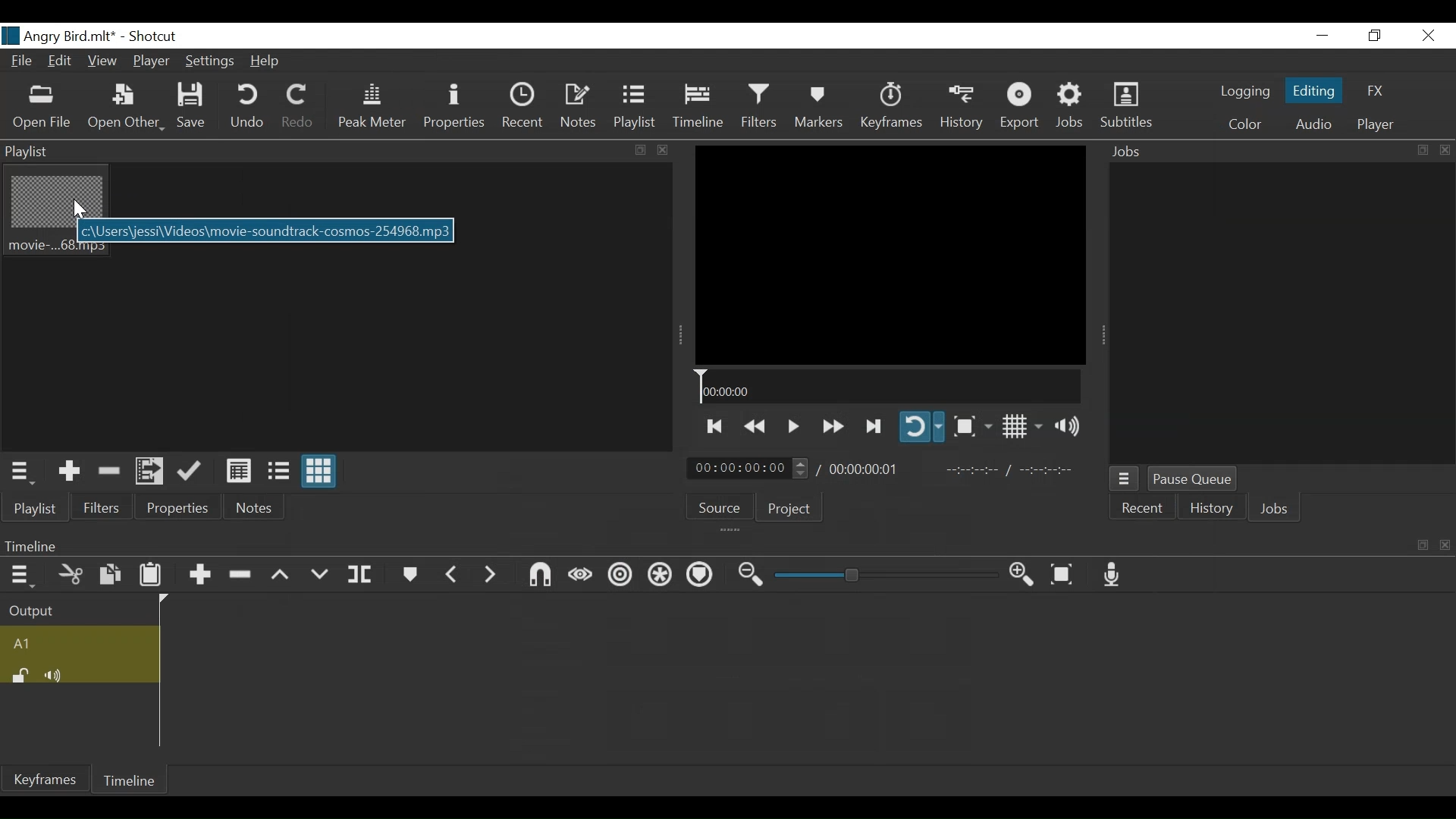 This screenshot has width=1456, height=819. Describe the element at coordinates (748, 576) in the screenshot. I see `Zoom timeline out` at that location.